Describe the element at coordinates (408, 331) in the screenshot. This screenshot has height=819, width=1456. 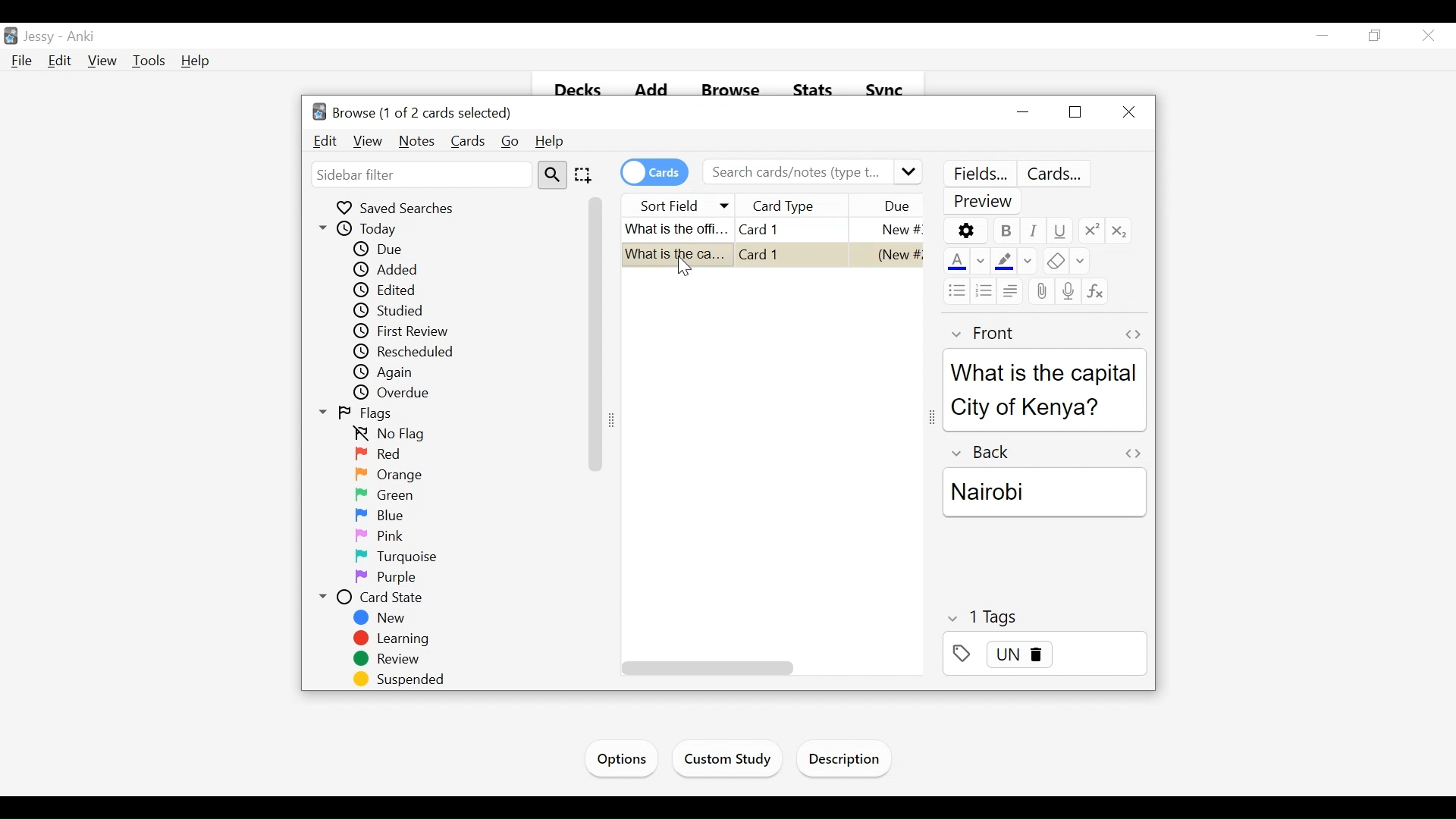
I see `First Review` at that location.